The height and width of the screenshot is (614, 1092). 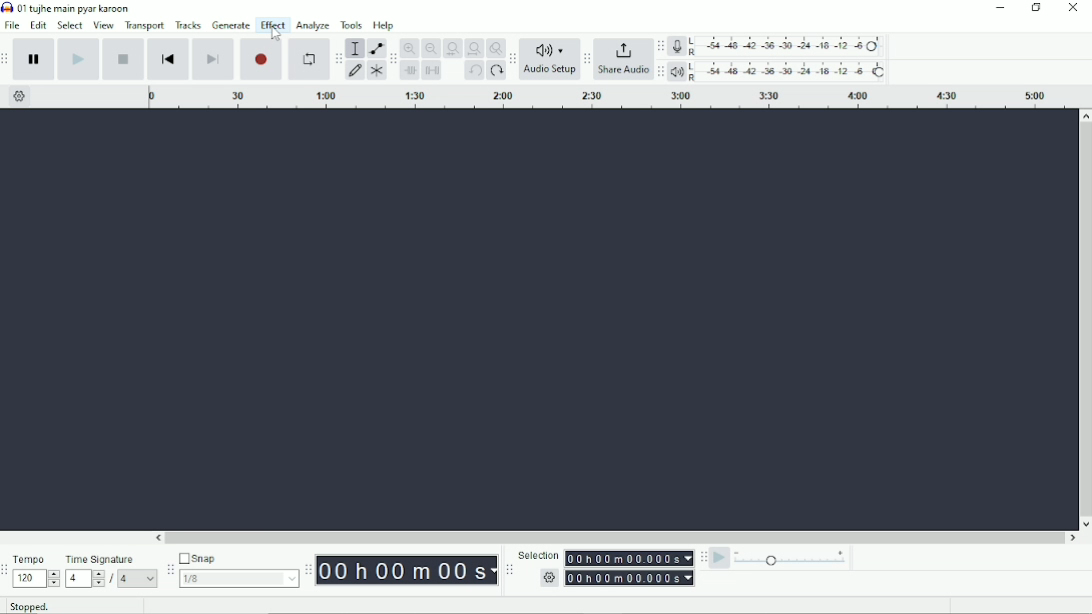 I want to click on Select, so click(x=70, y=25).